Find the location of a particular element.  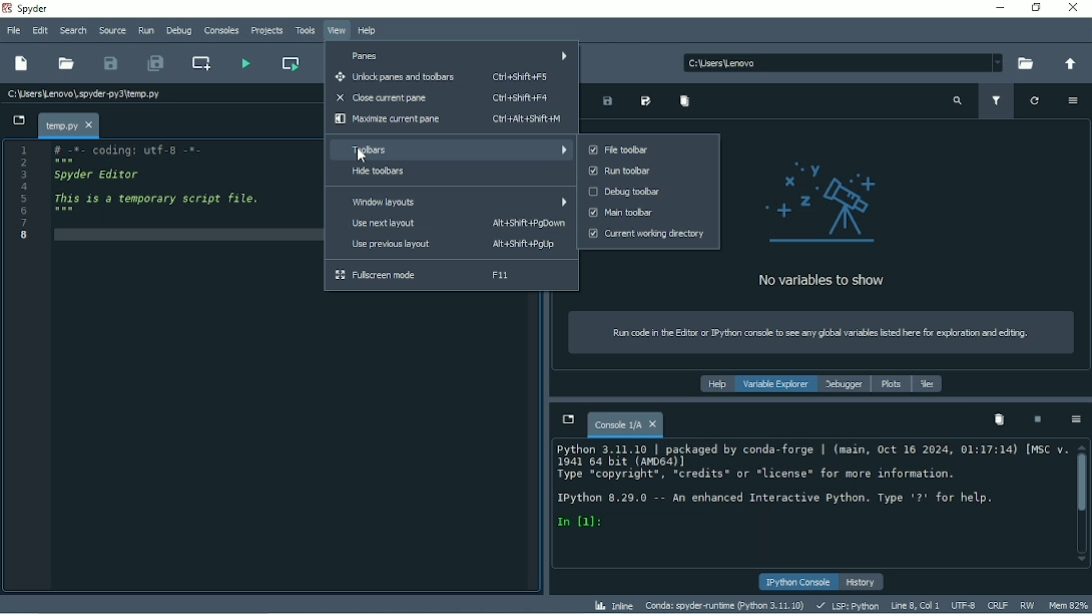

Run is located at coordinates (145, 31).